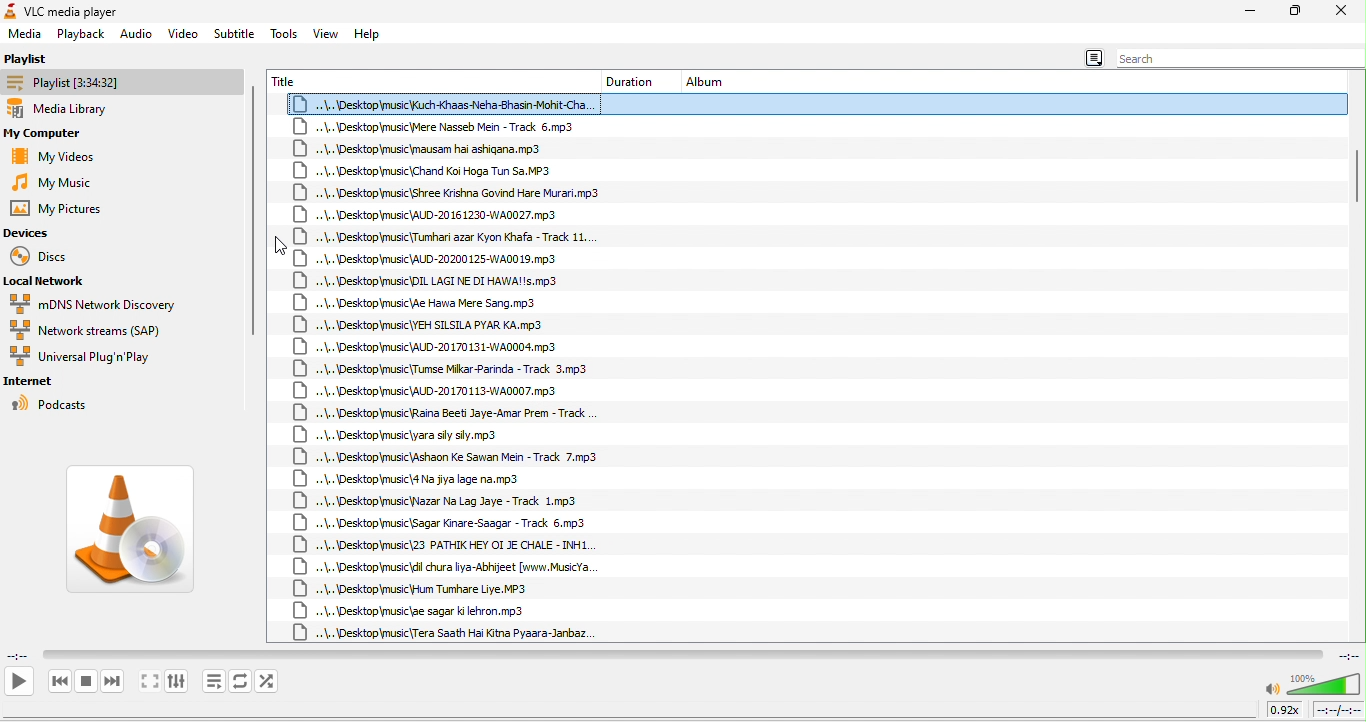  Describe the element at coordinates (288, 80) in the screenshot. I see `title` at that location.